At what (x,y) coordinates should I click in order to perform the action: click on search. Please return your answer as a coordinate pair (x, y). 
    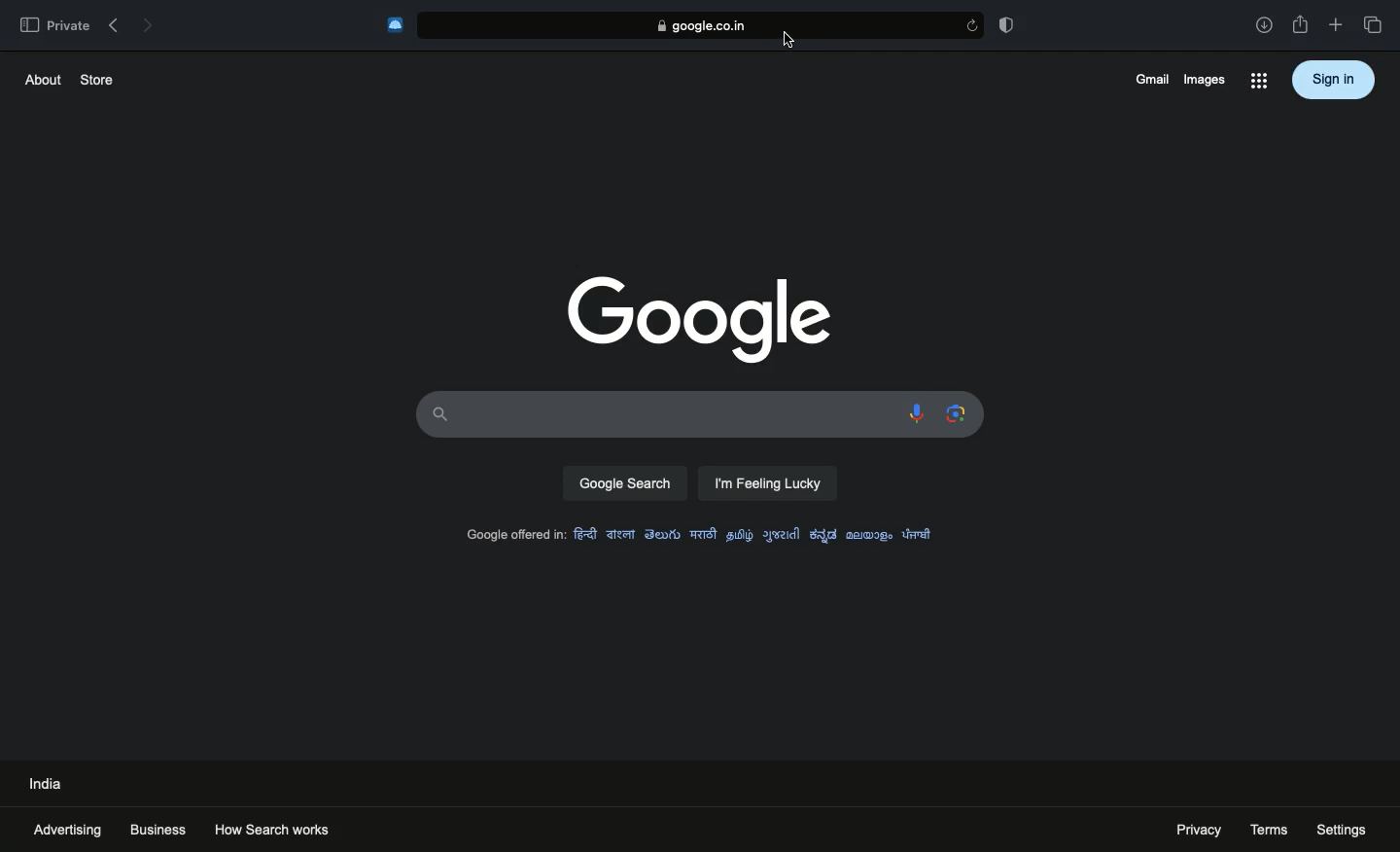
    Looking at the image, I should click on (625, 483).